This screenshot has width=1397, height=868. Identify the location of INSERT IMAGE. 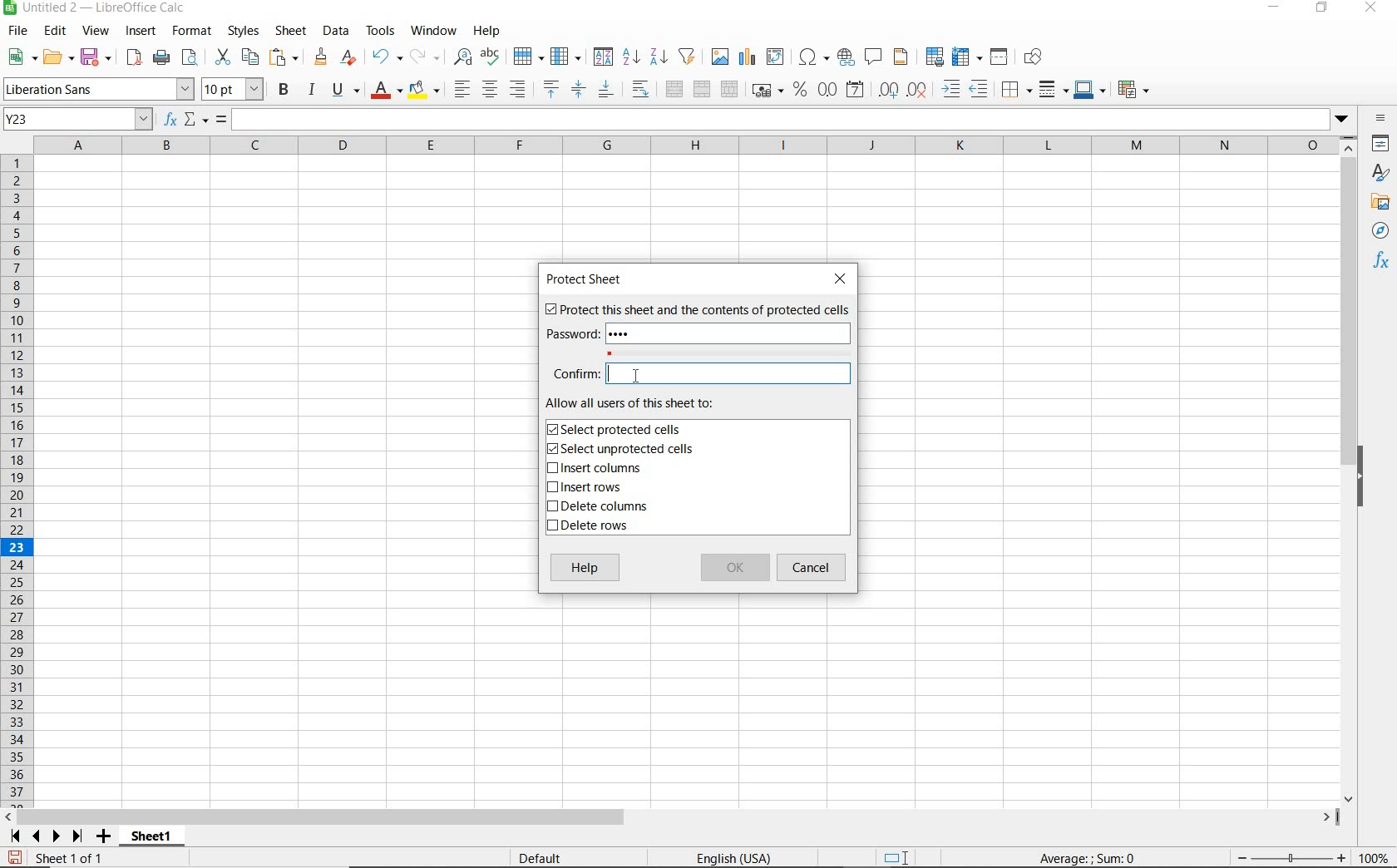
(720, 56).